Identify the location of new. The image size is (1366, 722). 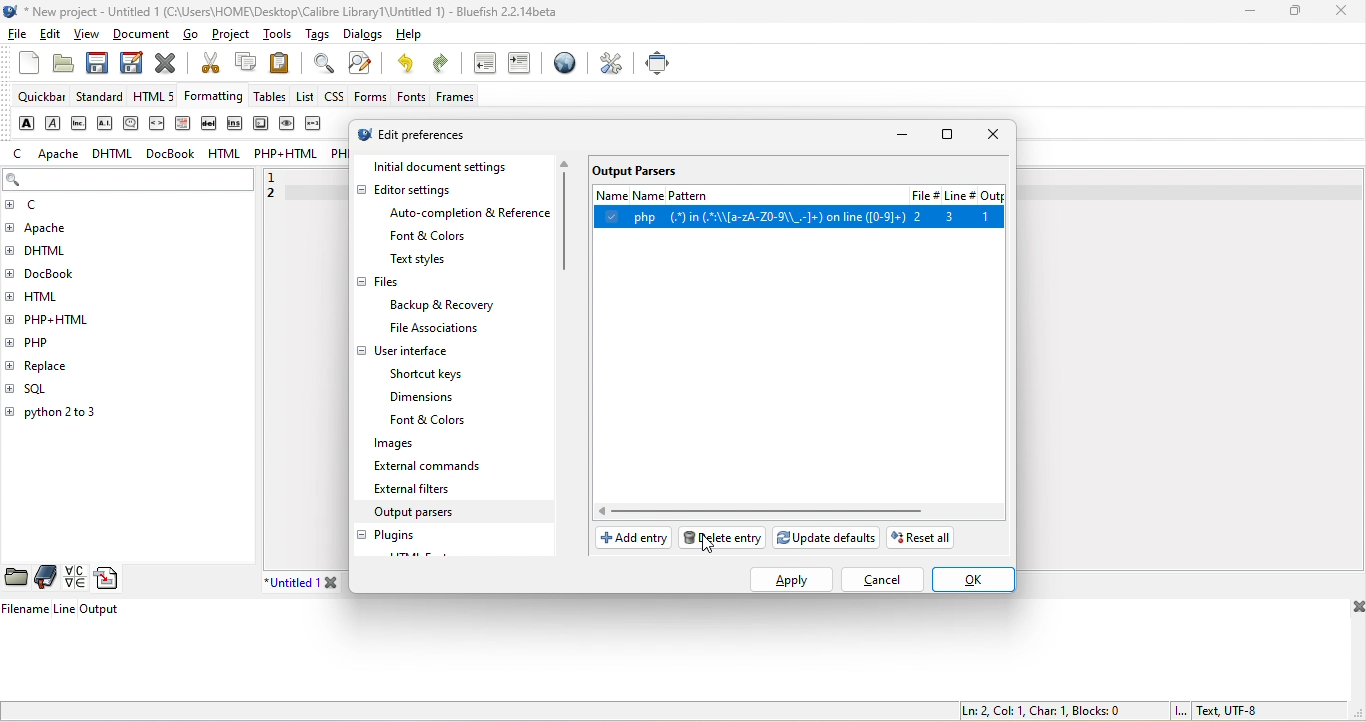
(24, 69).